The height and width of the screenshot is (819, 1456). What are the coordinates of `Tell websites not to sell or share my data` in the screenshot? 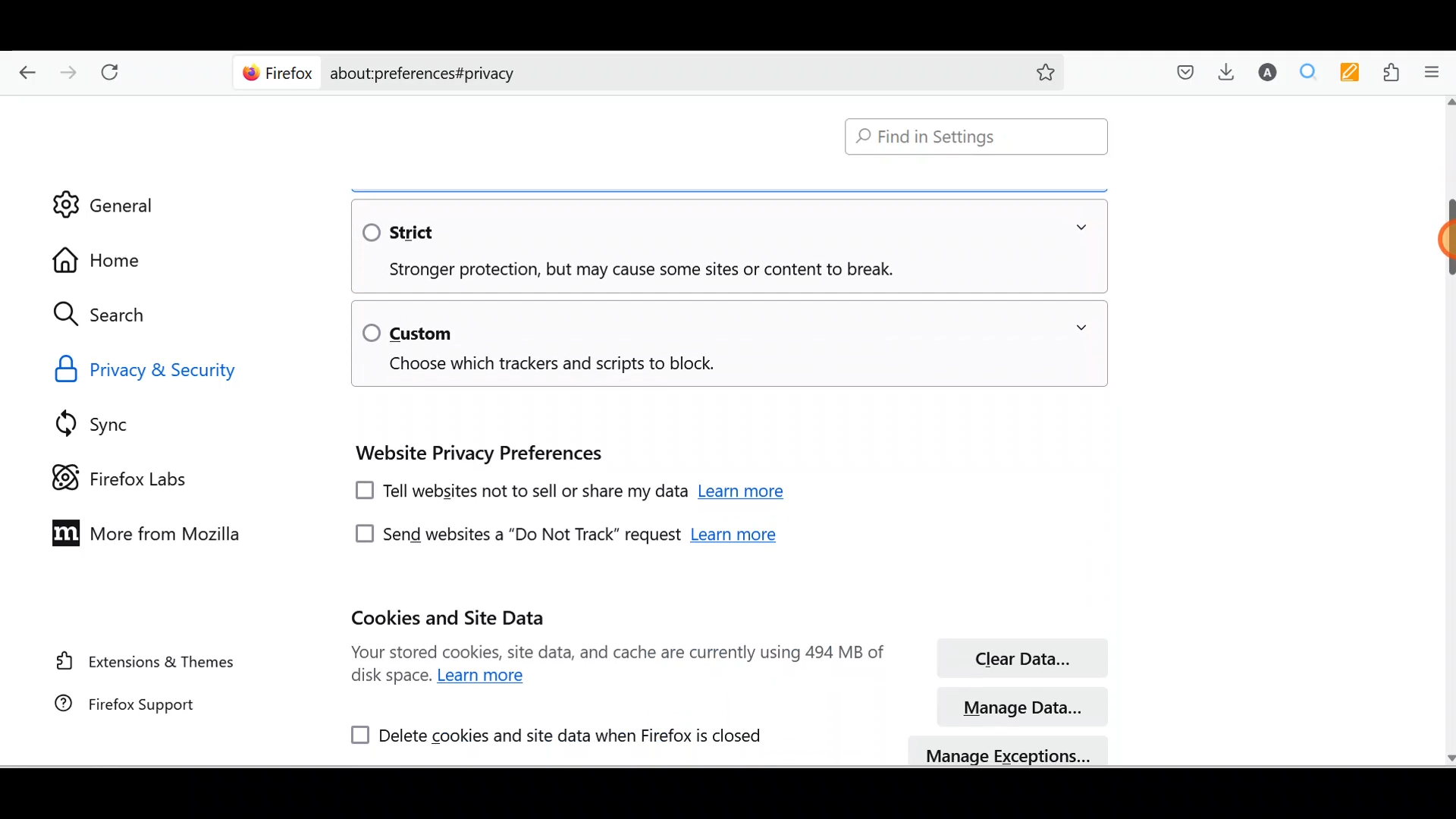 It's located at (518, 493).